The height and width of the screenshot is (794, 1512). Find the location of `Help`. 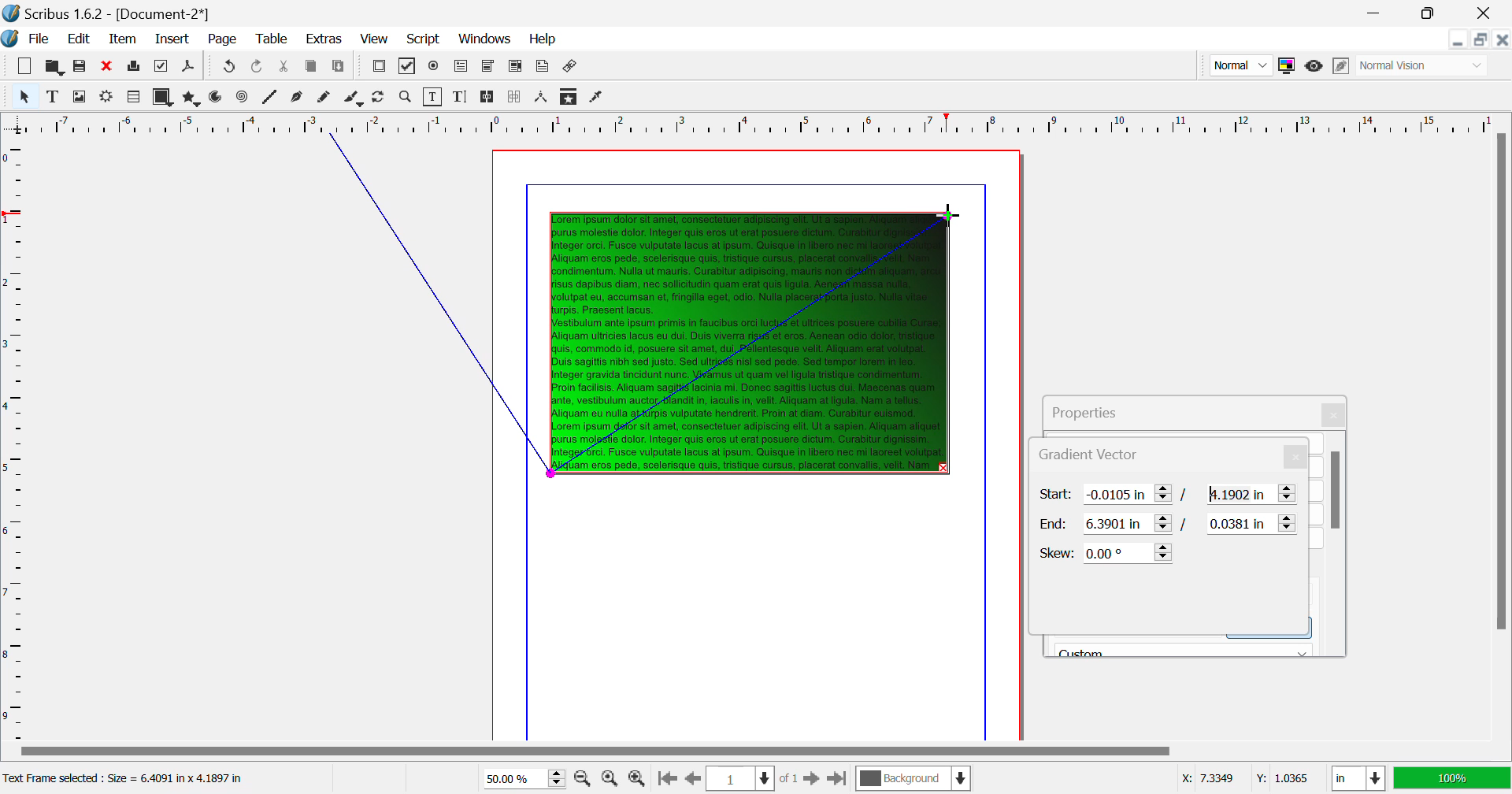

Help is located at coordinates (544, 39).